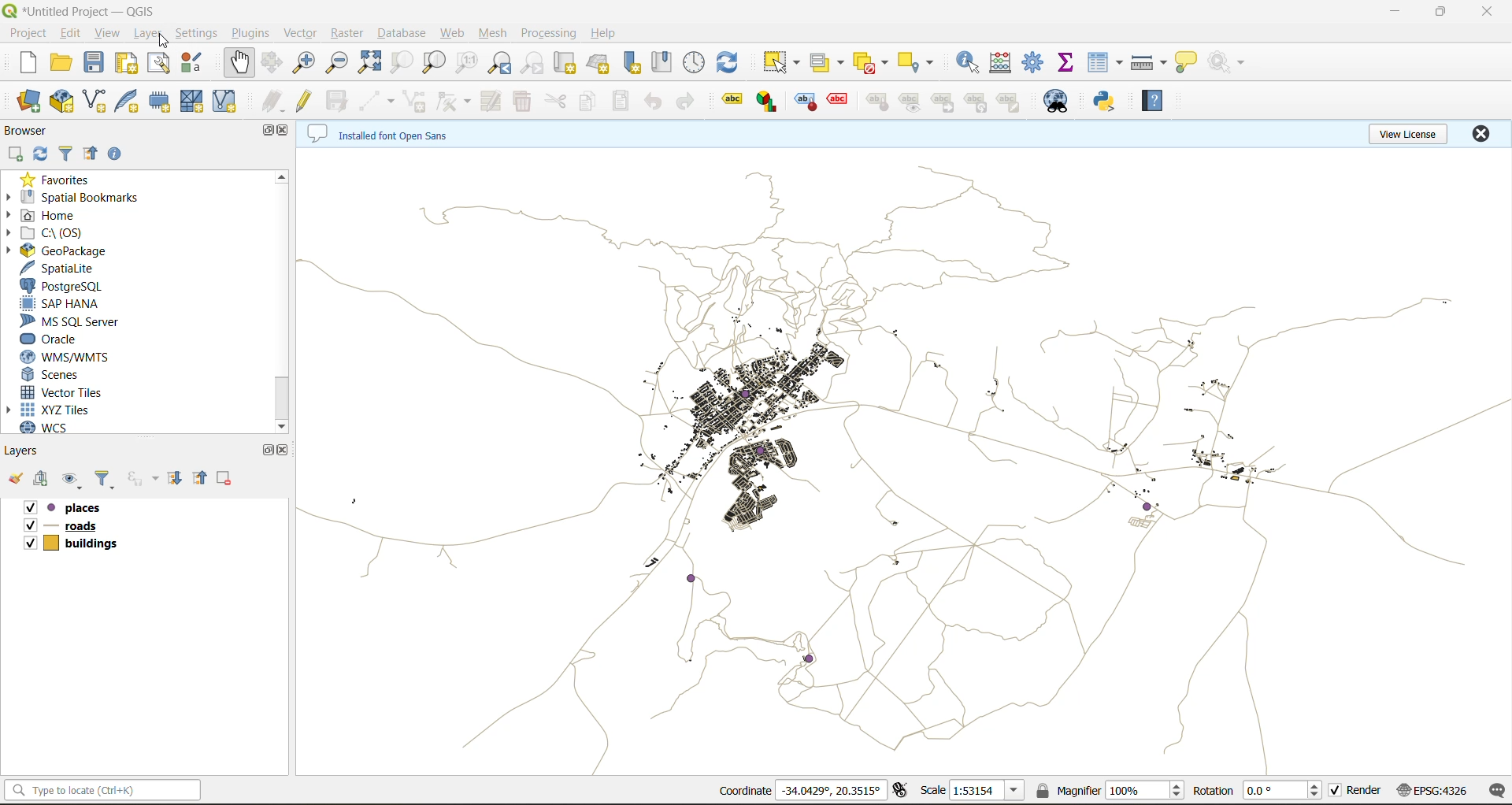  Describe the element at coordinates (1037, 62) in the screenshot. I see `tool box` at that location.